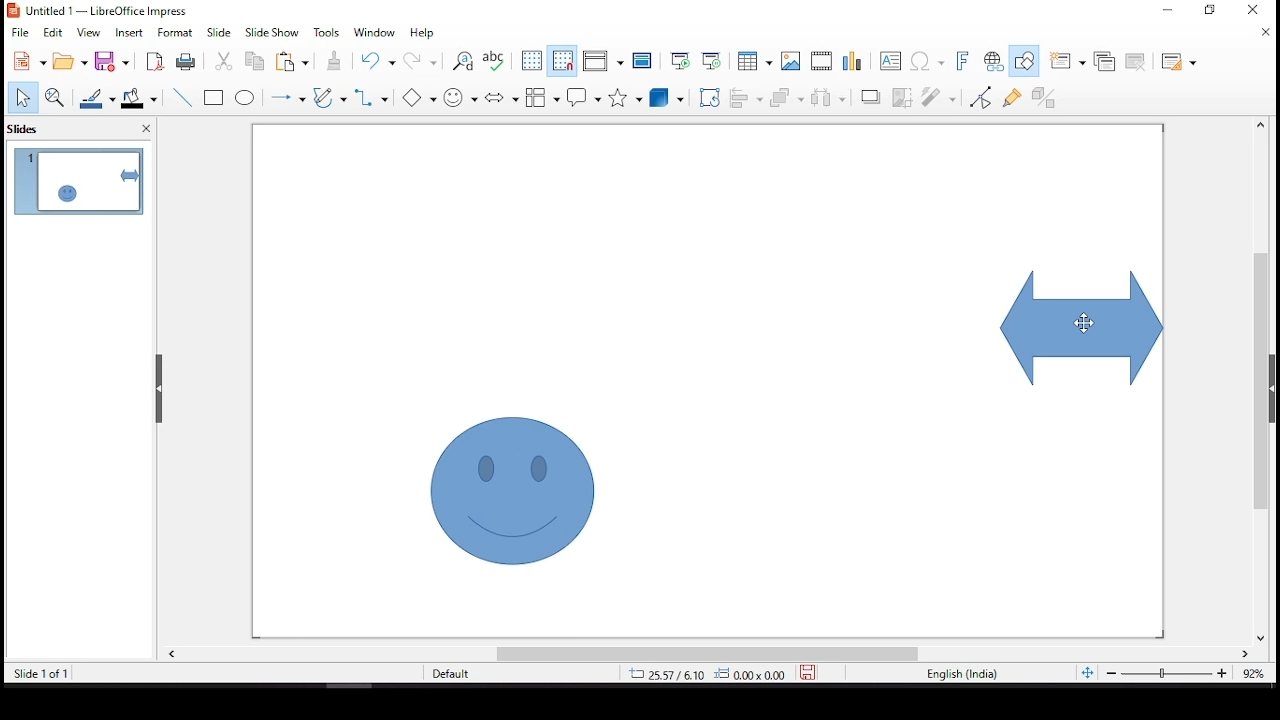 The width and height of the screenshot is (1280, 720). What do you see at coordinates (185, 62) in the screenshot?
I see `print` at bounding box center [185, 62].